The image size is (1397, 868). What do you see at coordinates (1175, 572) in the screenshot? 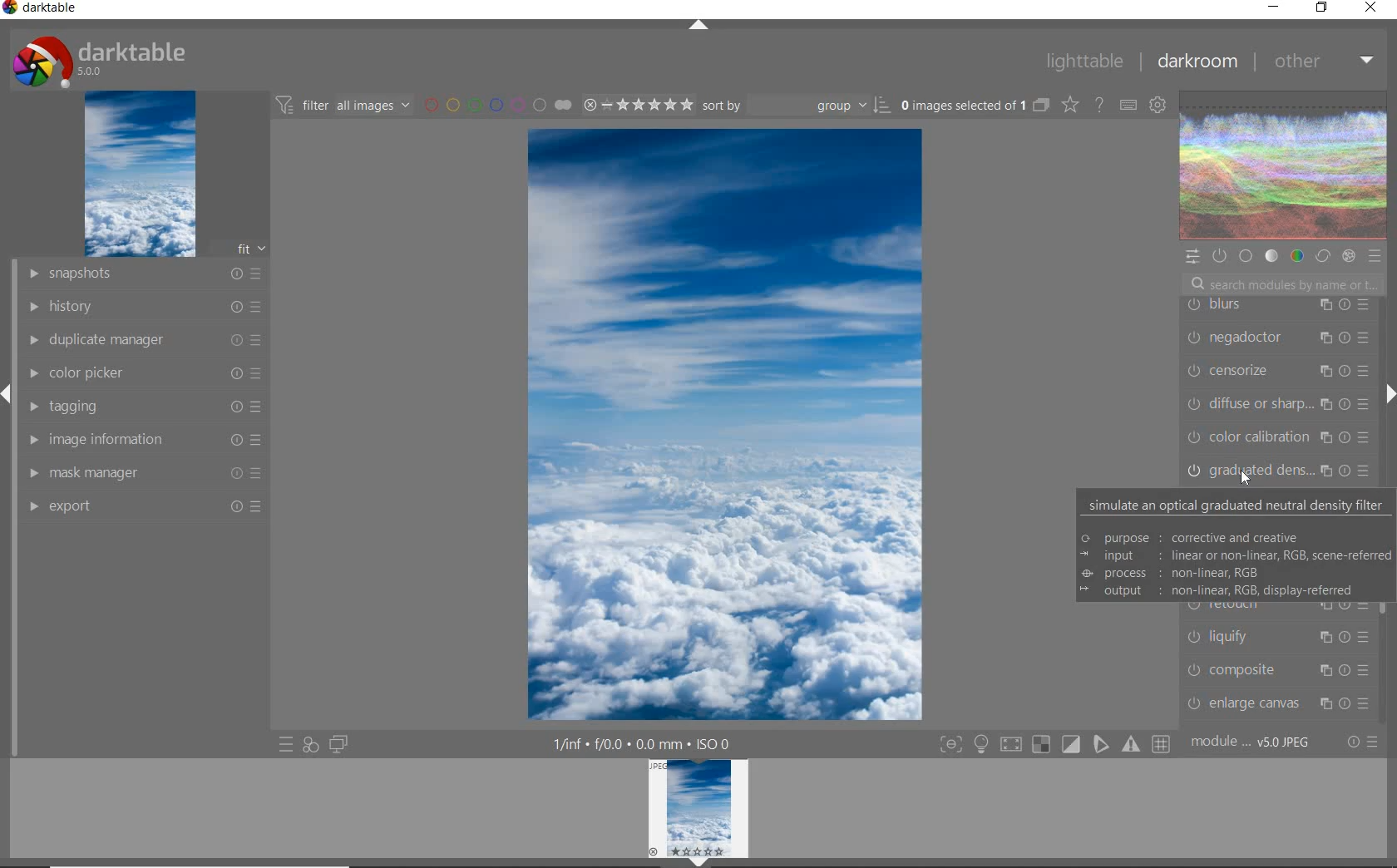
I see `& process : non-linear, RGB` at bounding box center [1175, 572].